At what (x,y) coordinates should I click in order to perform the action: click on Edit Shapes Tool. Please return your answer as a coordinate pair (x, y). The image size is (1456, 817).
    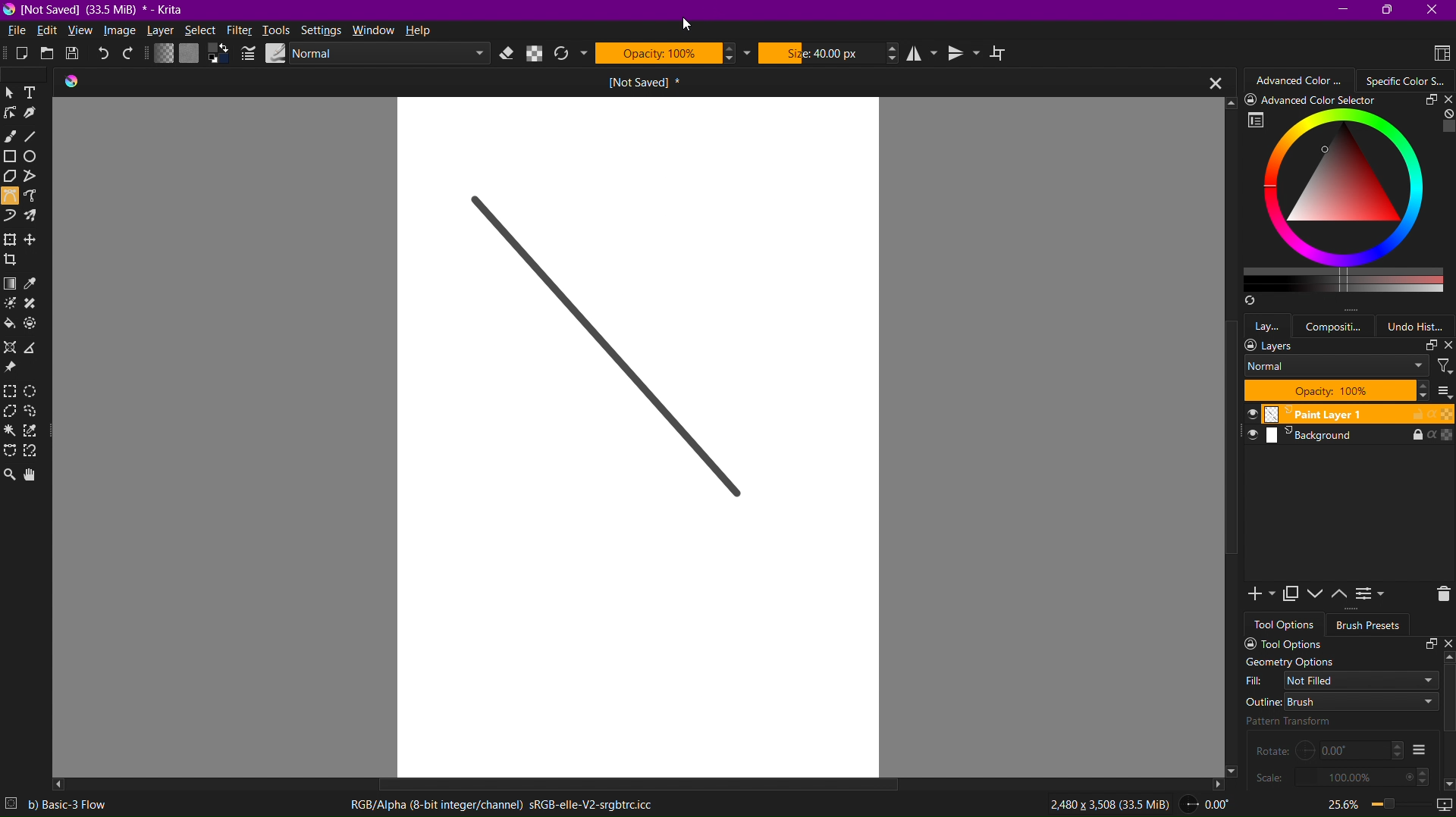
    Looking at the image, I should click on (13, 117).